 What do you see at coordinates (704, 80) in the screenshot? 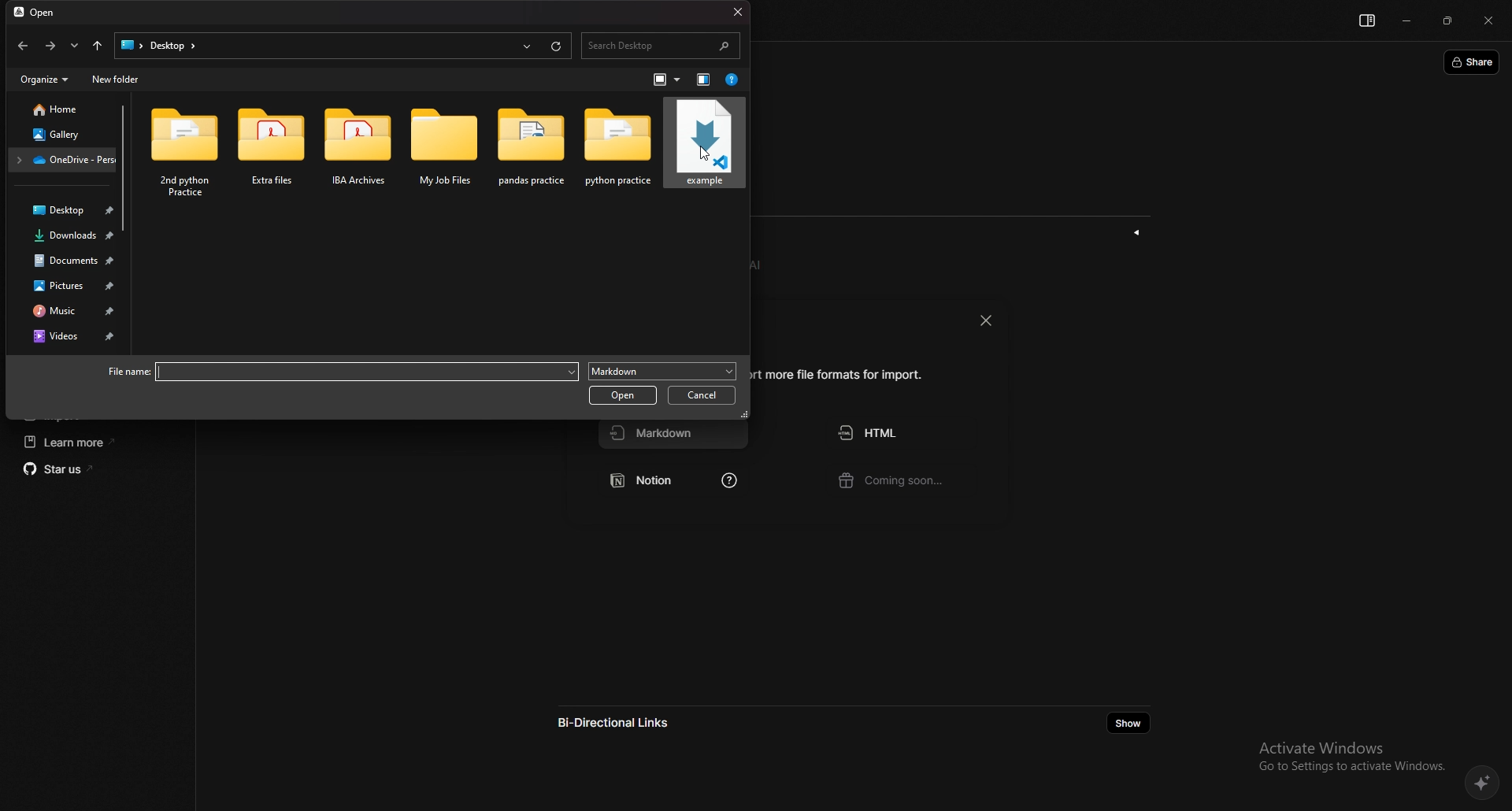
I see `show the preview pane` at bounding box center [704, 80].